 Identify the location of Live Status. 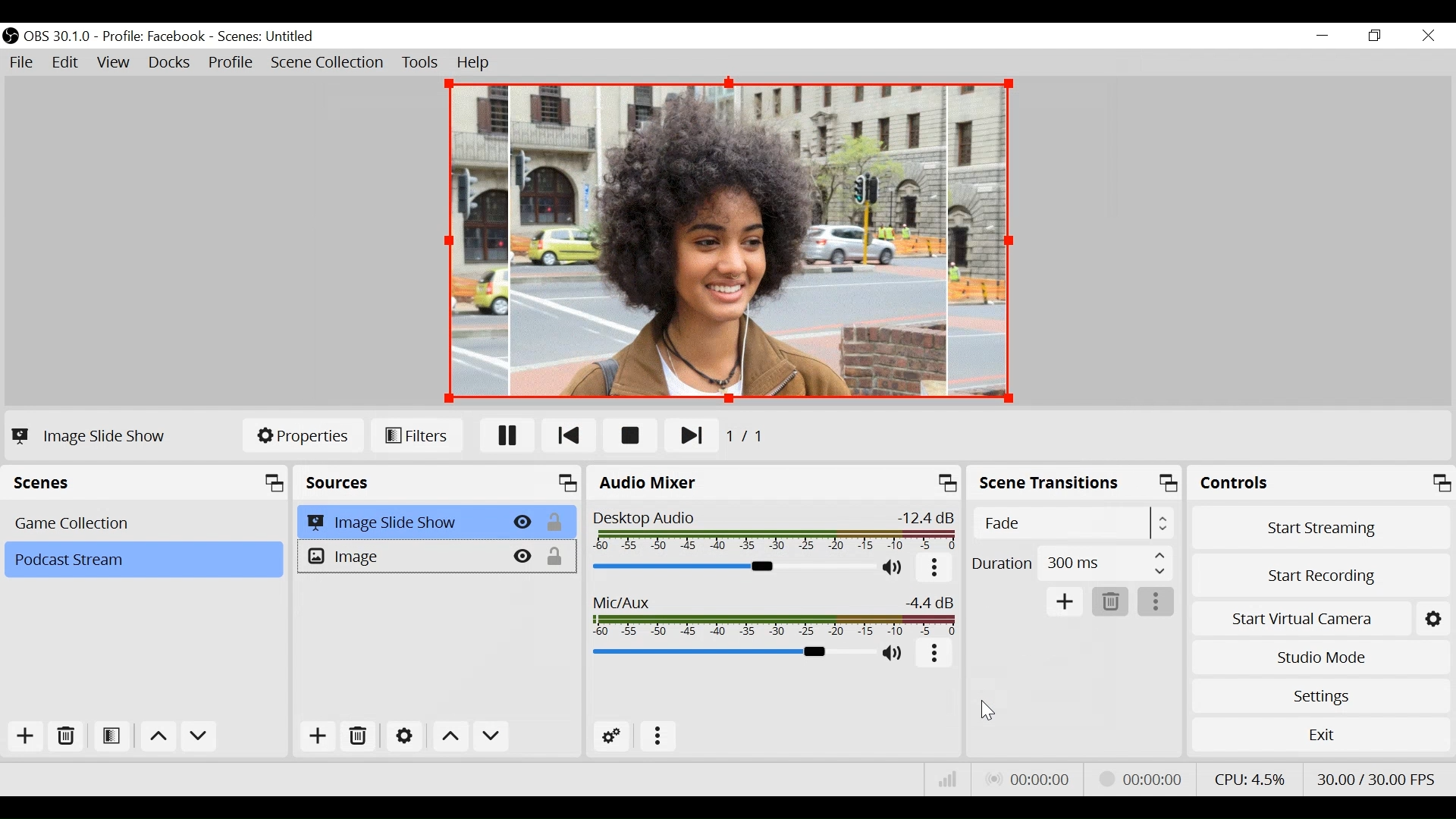
(1027, 780).